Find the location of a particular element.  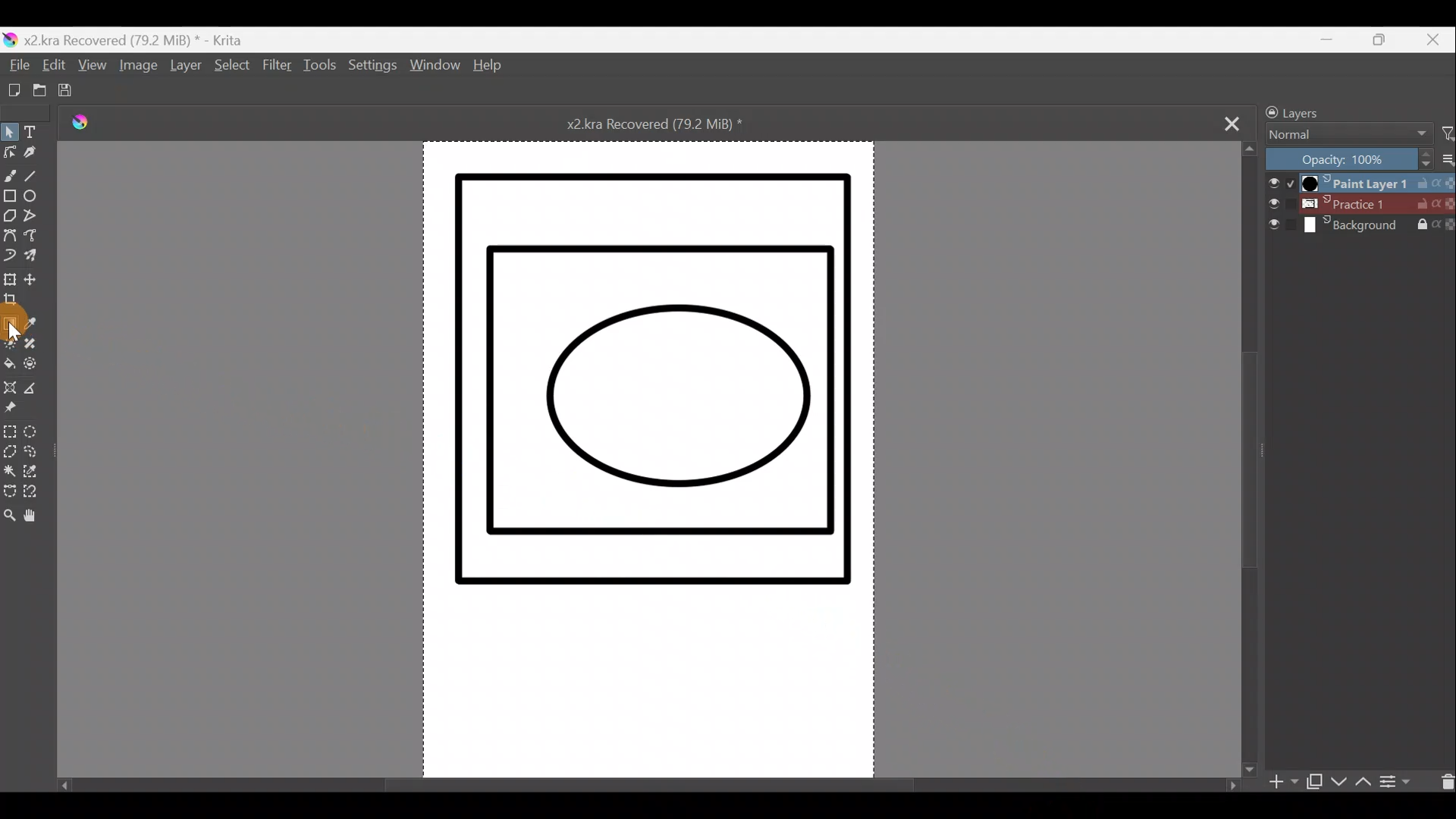

Duplicate layer/mask is located at coordinates (1314, 785).